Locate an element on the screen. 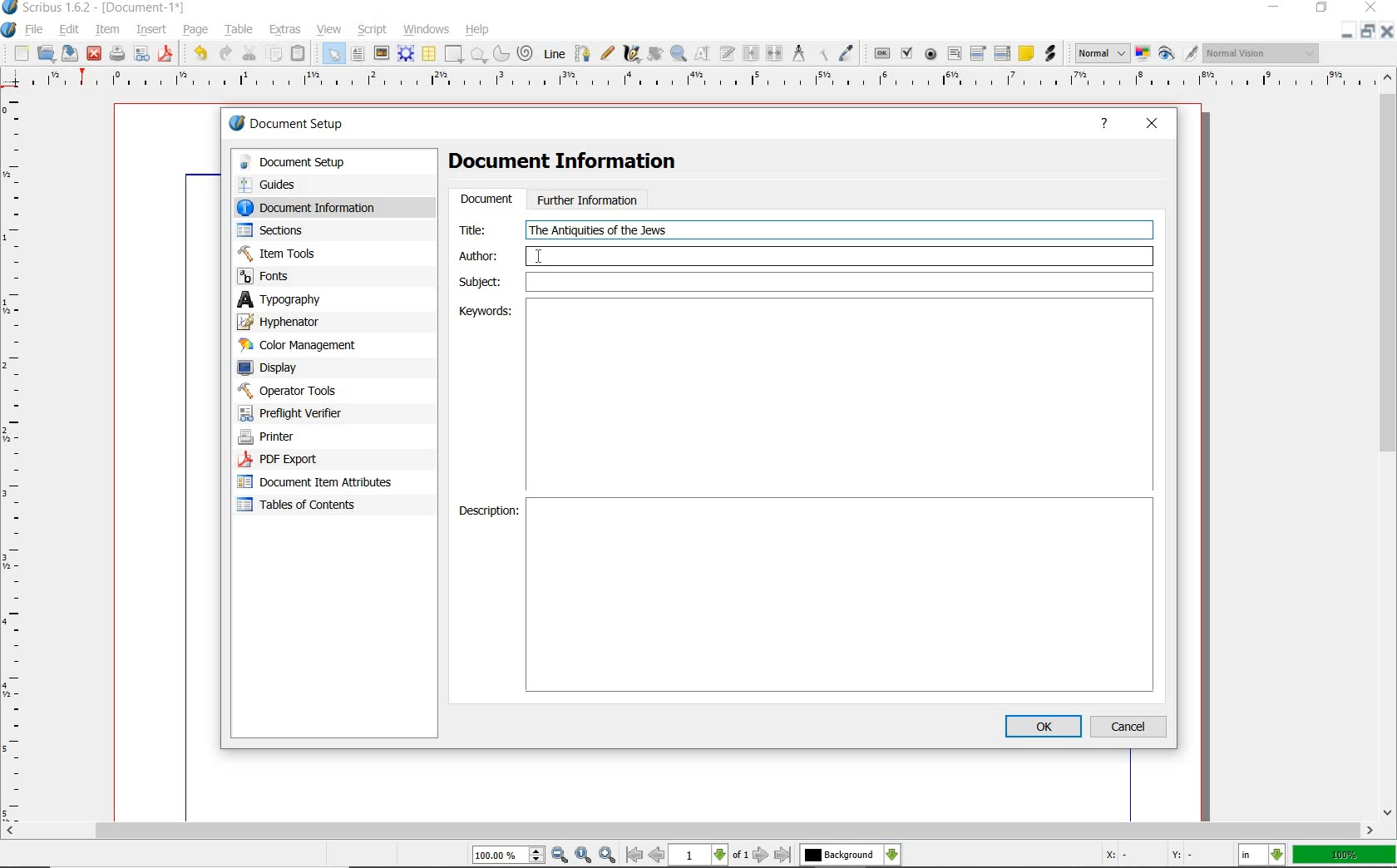 The width and height of the screenshot is (1397, 868). toggle color management is located at coordinates (1143, 53).